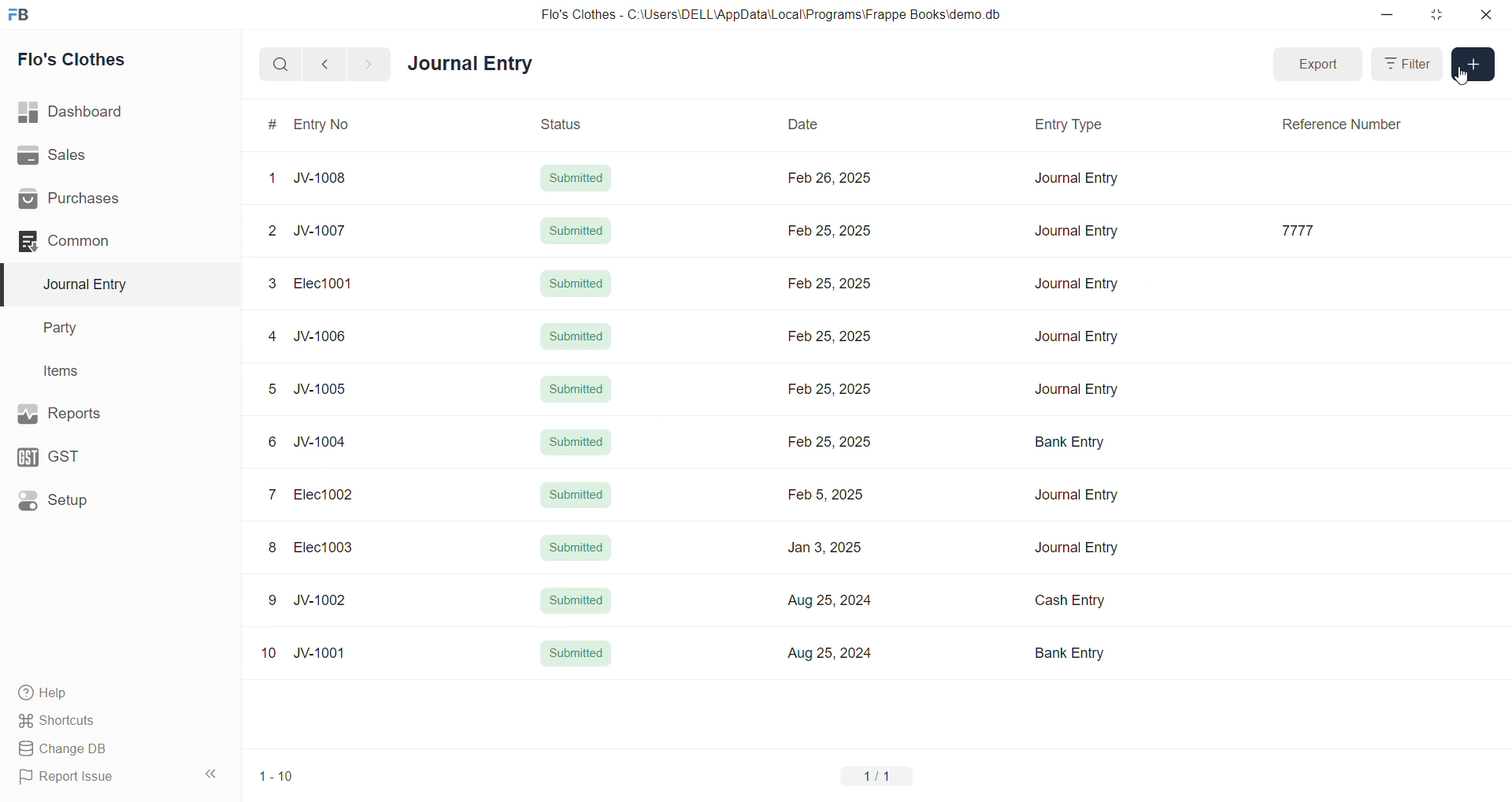  Describe the element at coordinates (833, 440) in the screenshot. I see `Feb 25, 2025` at that location.